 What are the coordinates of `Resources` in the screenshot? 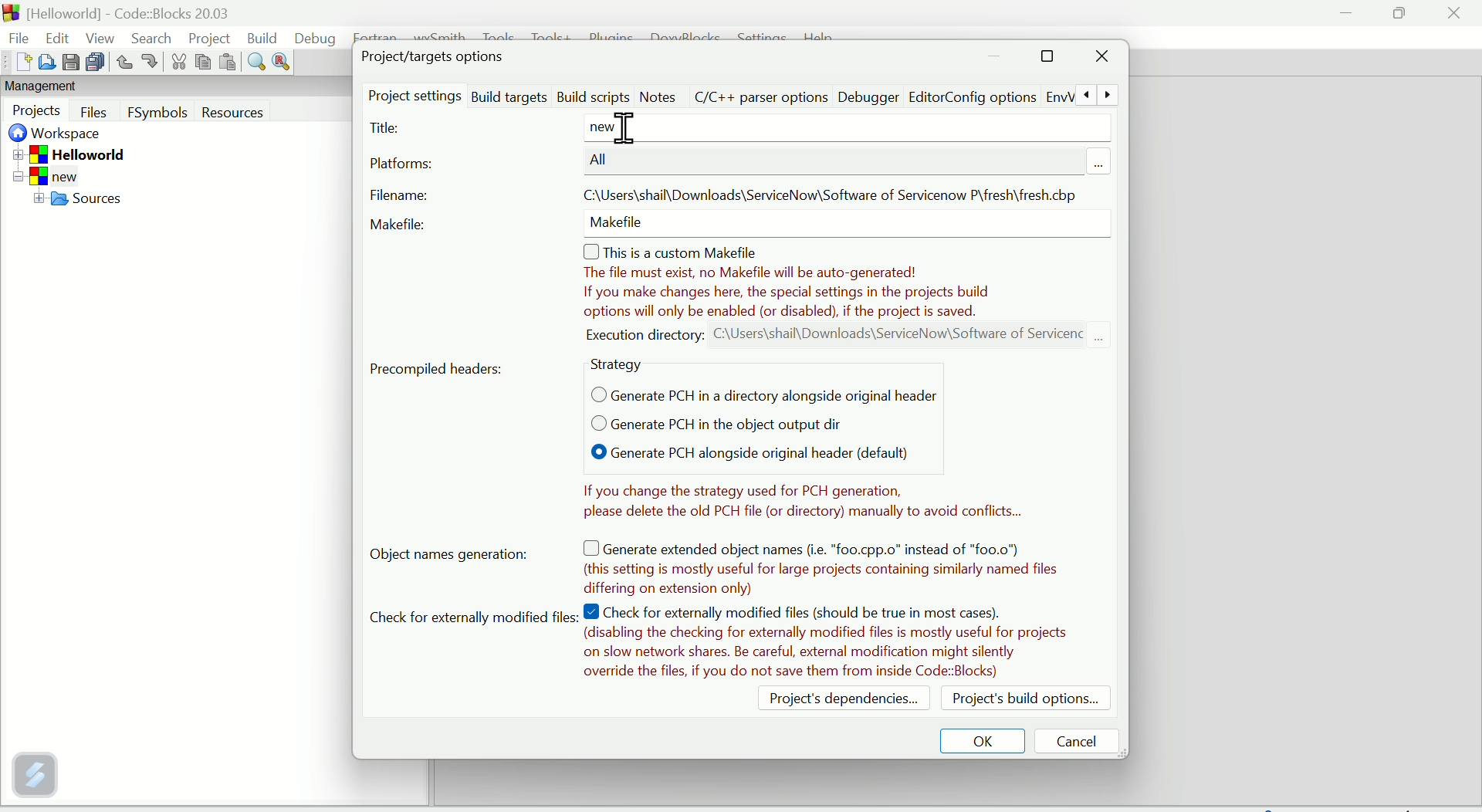 It's located at (259, 113).